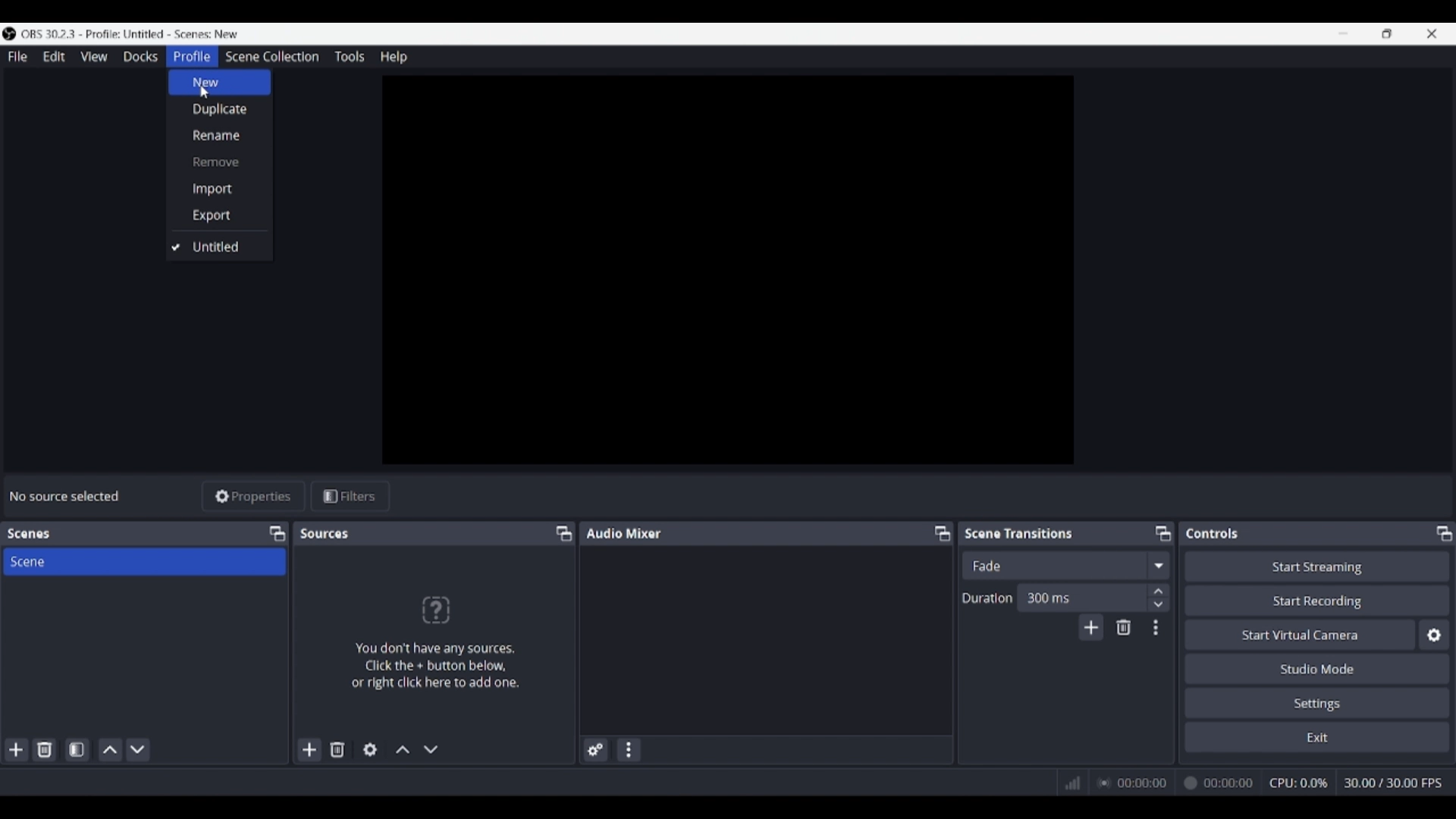 The height and width of the screenshot is (819, 1456). I want to click on Remove selected source, so click(337, 749).